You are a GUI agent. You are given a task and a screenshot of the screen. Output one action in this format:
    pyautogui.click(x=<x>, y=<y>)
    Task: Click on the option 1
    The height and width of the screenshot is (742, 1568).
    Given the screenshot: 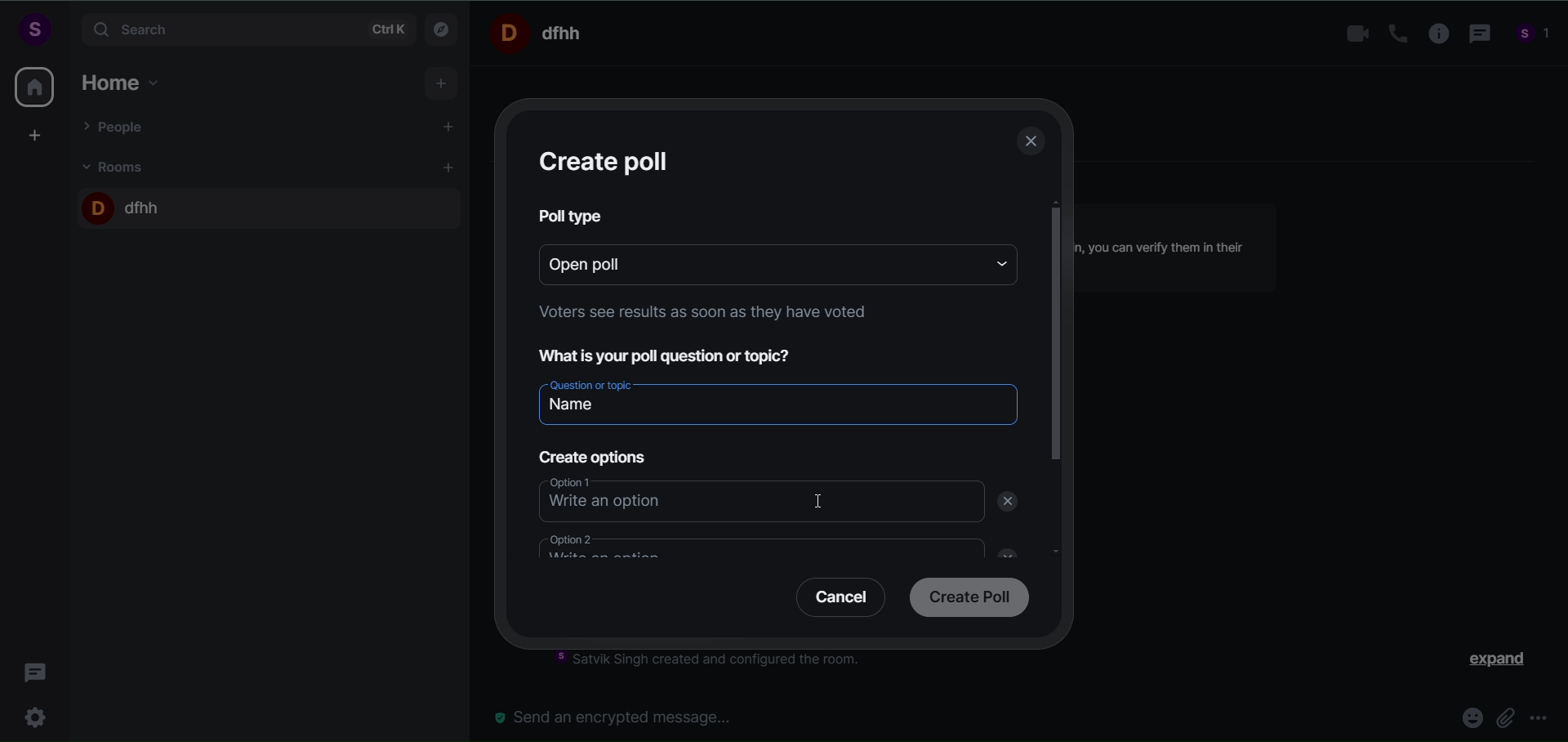 What is the action you would take?
    pyautogui.click(x=746, y=498)
    